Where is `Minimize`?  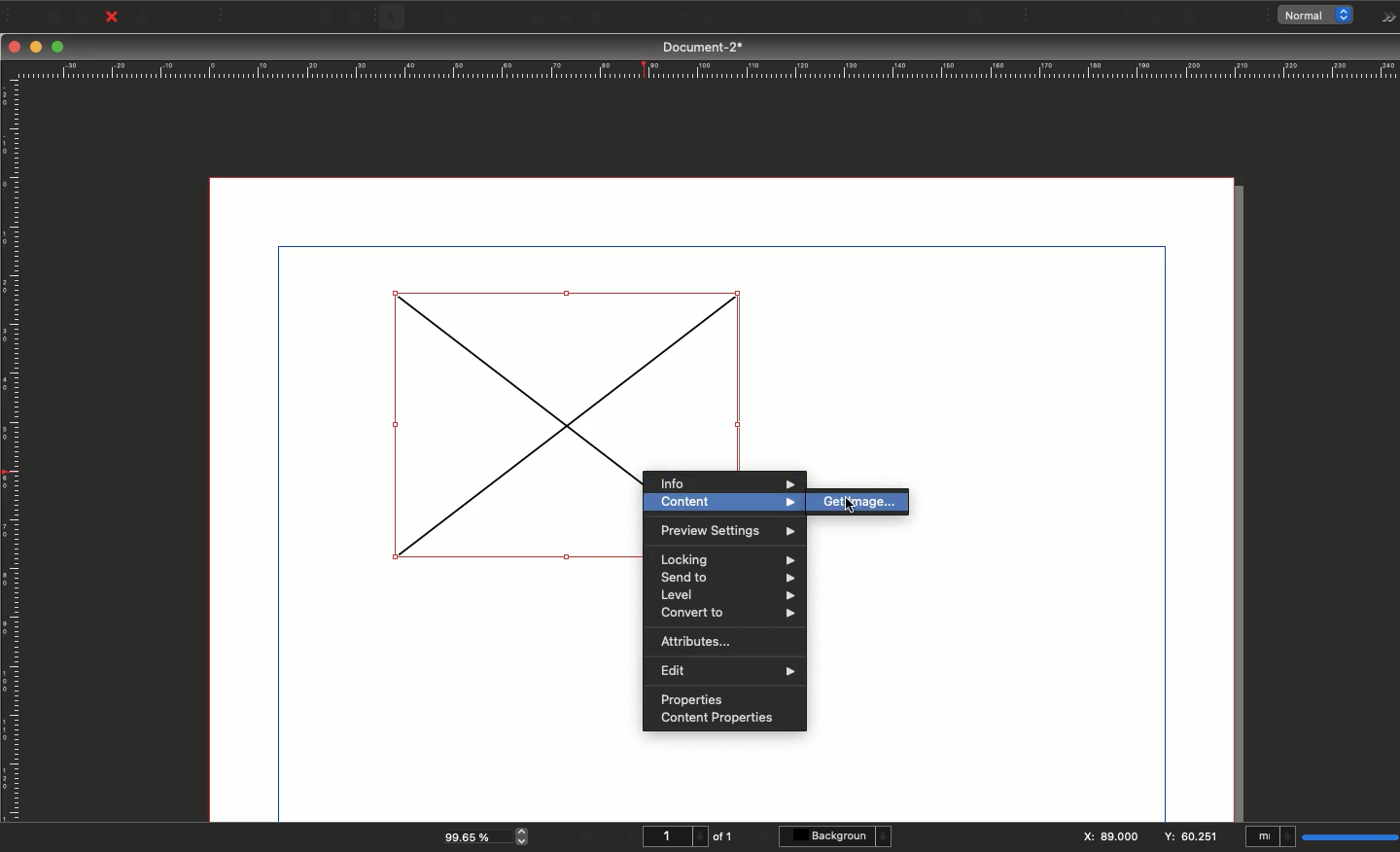
Minimize is located at coordinates (38, 48).